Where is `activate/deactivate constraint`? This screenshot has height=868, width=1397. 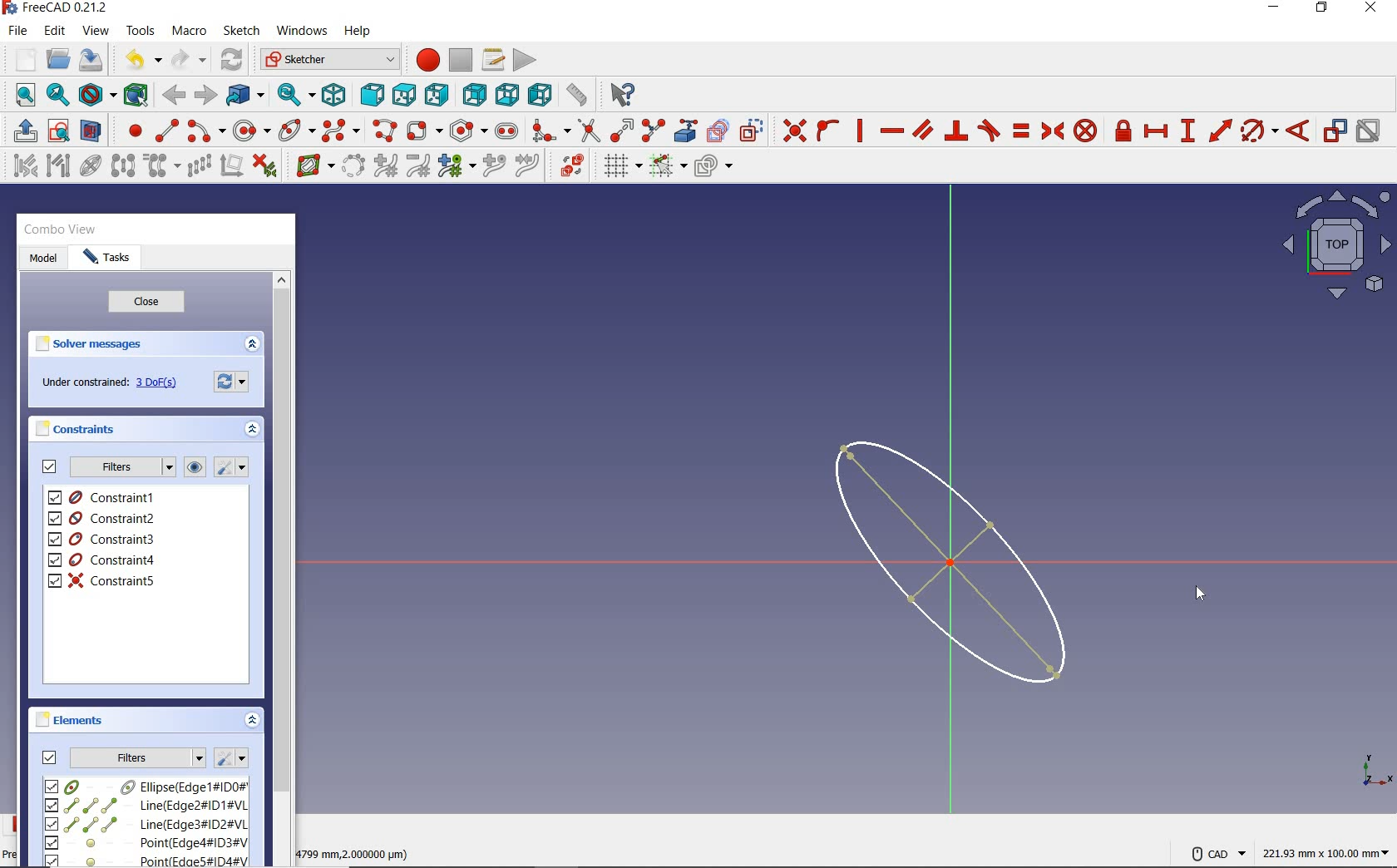 activate/deactivate constraint is located at coordinates (1369, 131).